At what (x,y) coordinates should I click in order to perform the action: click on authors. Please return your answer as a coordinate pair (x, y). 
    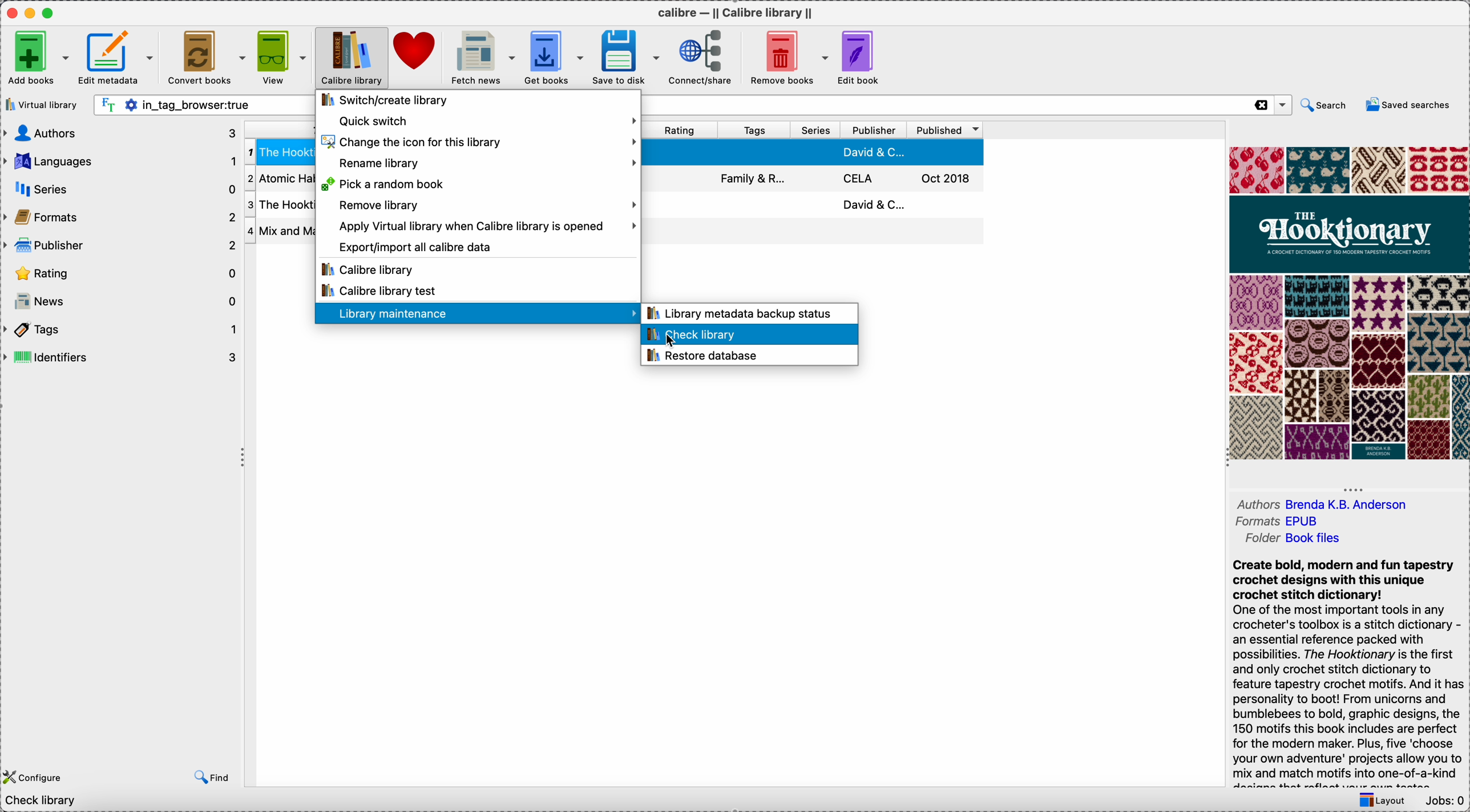
    Looking at the image, I should click on (119, 134).